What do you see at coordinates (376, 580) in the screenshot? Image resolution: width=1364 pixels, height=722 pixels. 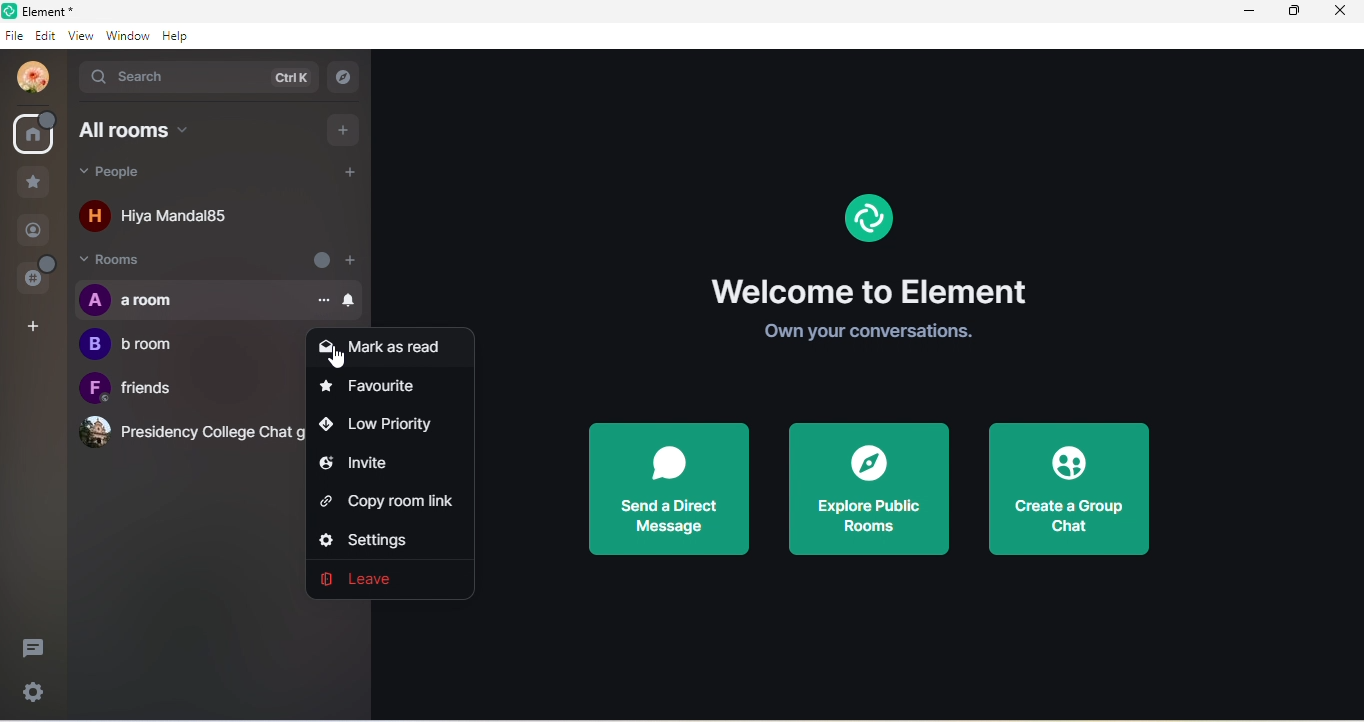 I see `leave` at bounding box center [376, 580].